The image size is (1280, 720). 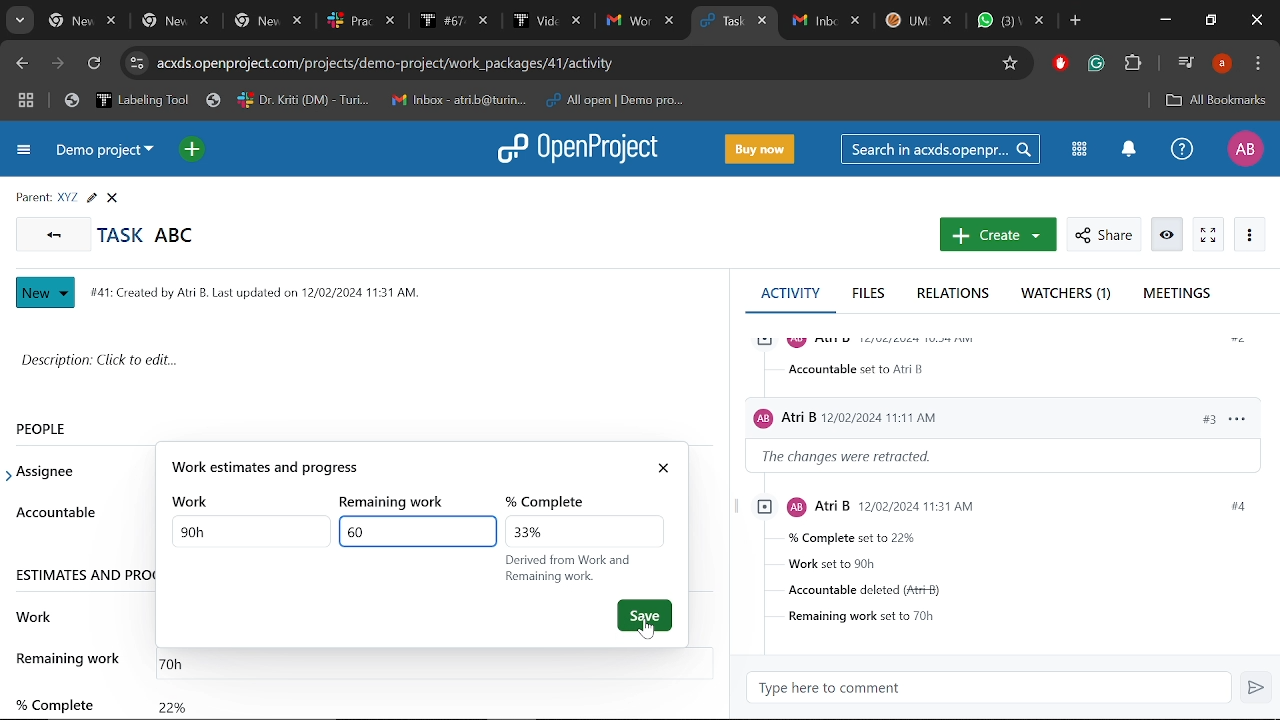 What do you see at coordinates (83, 574) in the screenshot?
I see `estimates and pro` at bounding box center [83, 574].